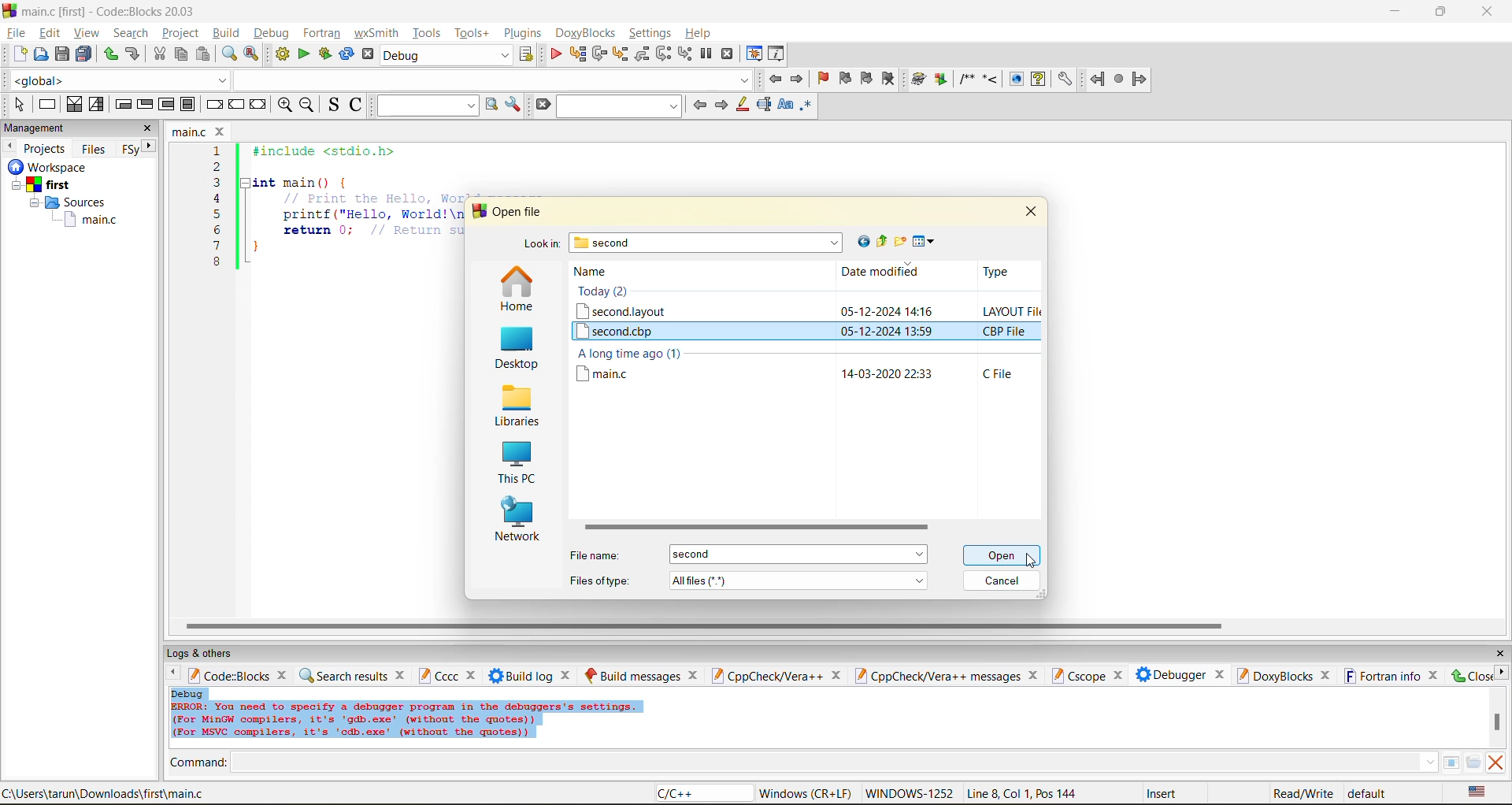  Describe the element at coordinates (182, 54) in the screenshot. I see `copy` at that location.